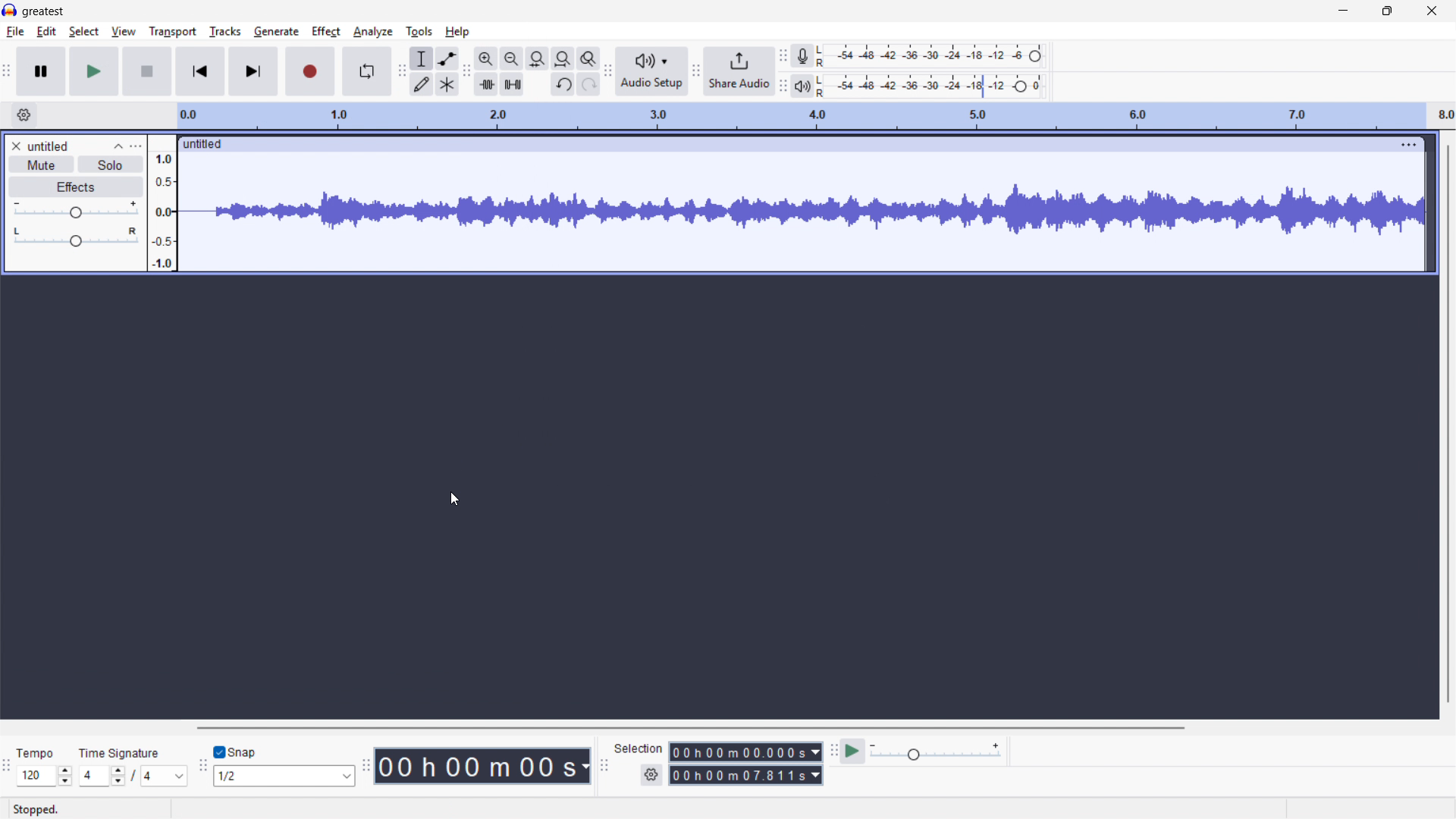 The image size is (1456, 819). What do you see at coordinates (745, 776) in the screenshot?
I see `selection end time` at bounding box center [745, 776].